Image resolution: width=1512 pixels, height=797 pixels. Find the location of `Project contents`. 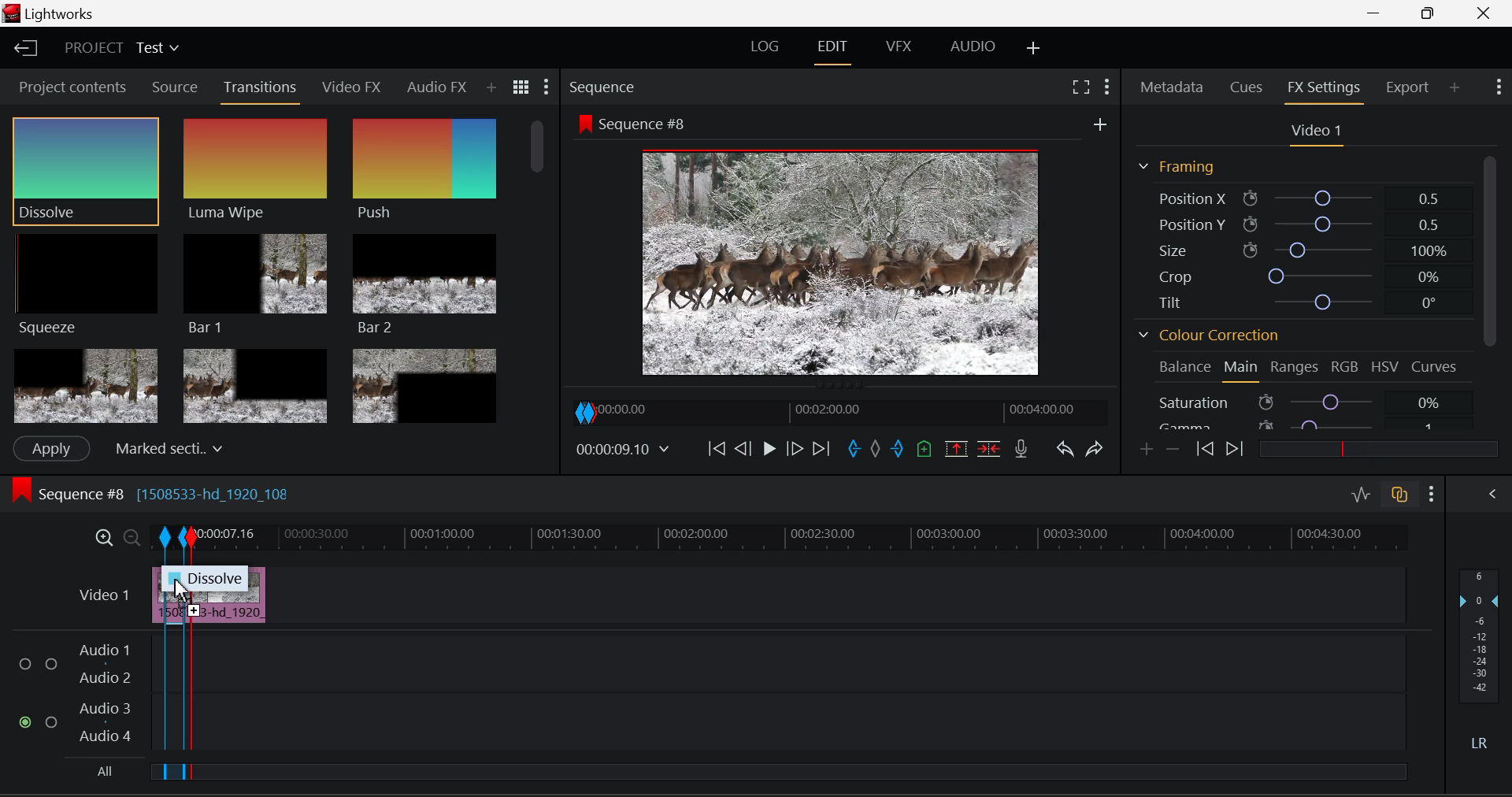

Project contents is located at coordinates (70, 86).